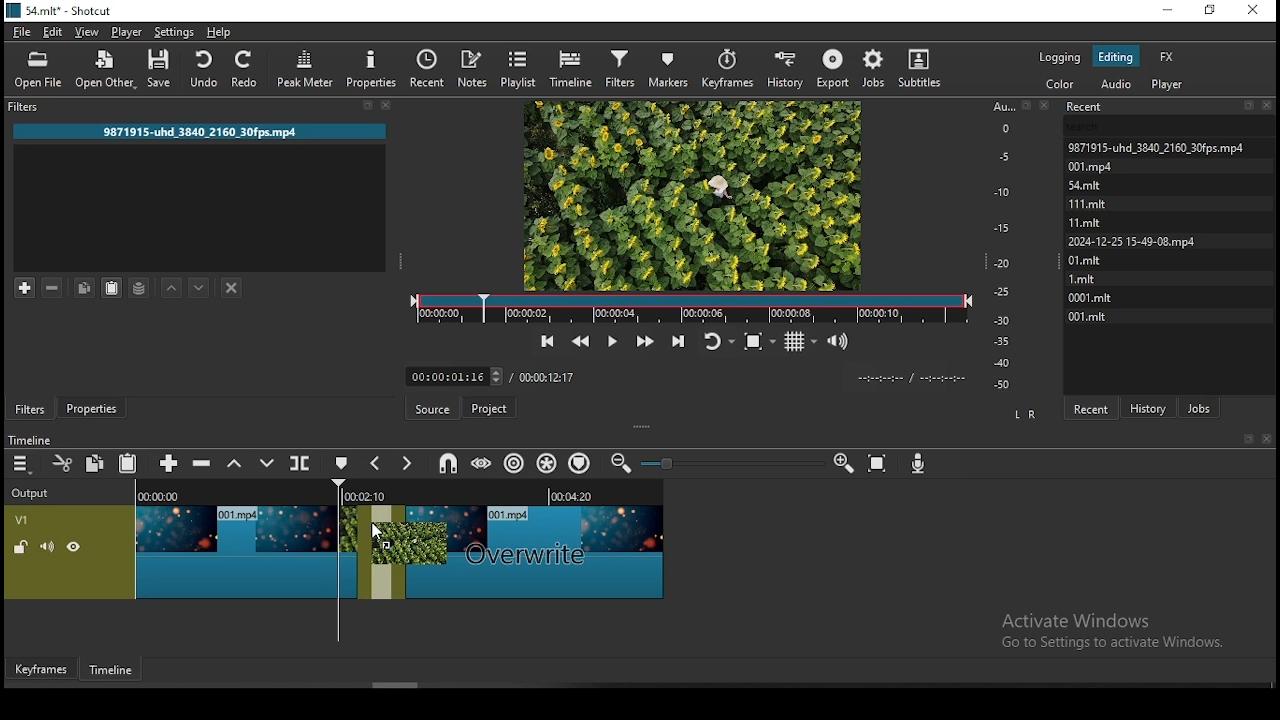 Image resolution: width=1280 pixels, height=720 pixels. What do you see at coordinates (22, 33) in the screenshot?
I see `file` at bounding box center [22, 33].